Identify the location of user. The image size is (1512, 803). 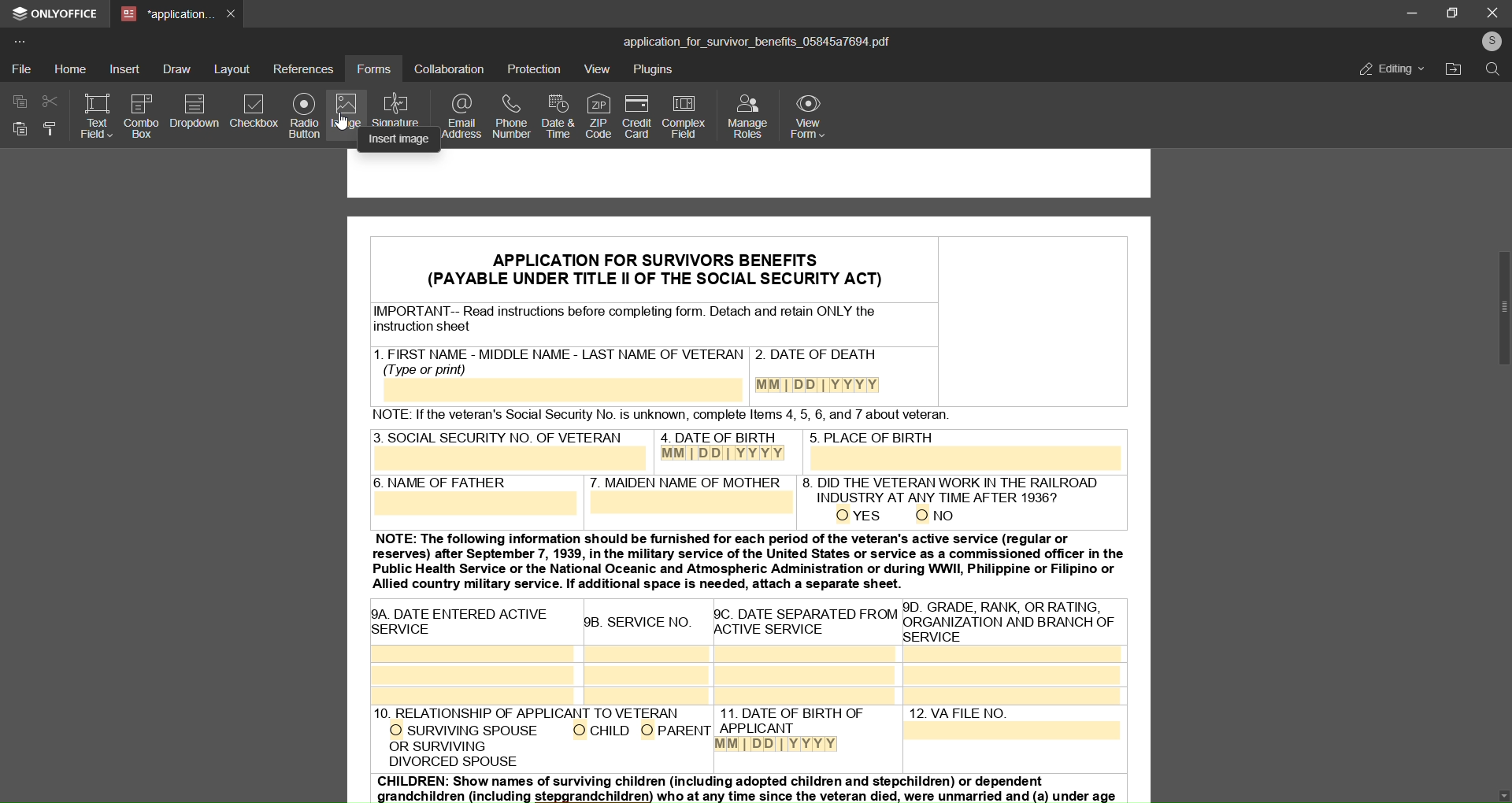
(1490, 41).